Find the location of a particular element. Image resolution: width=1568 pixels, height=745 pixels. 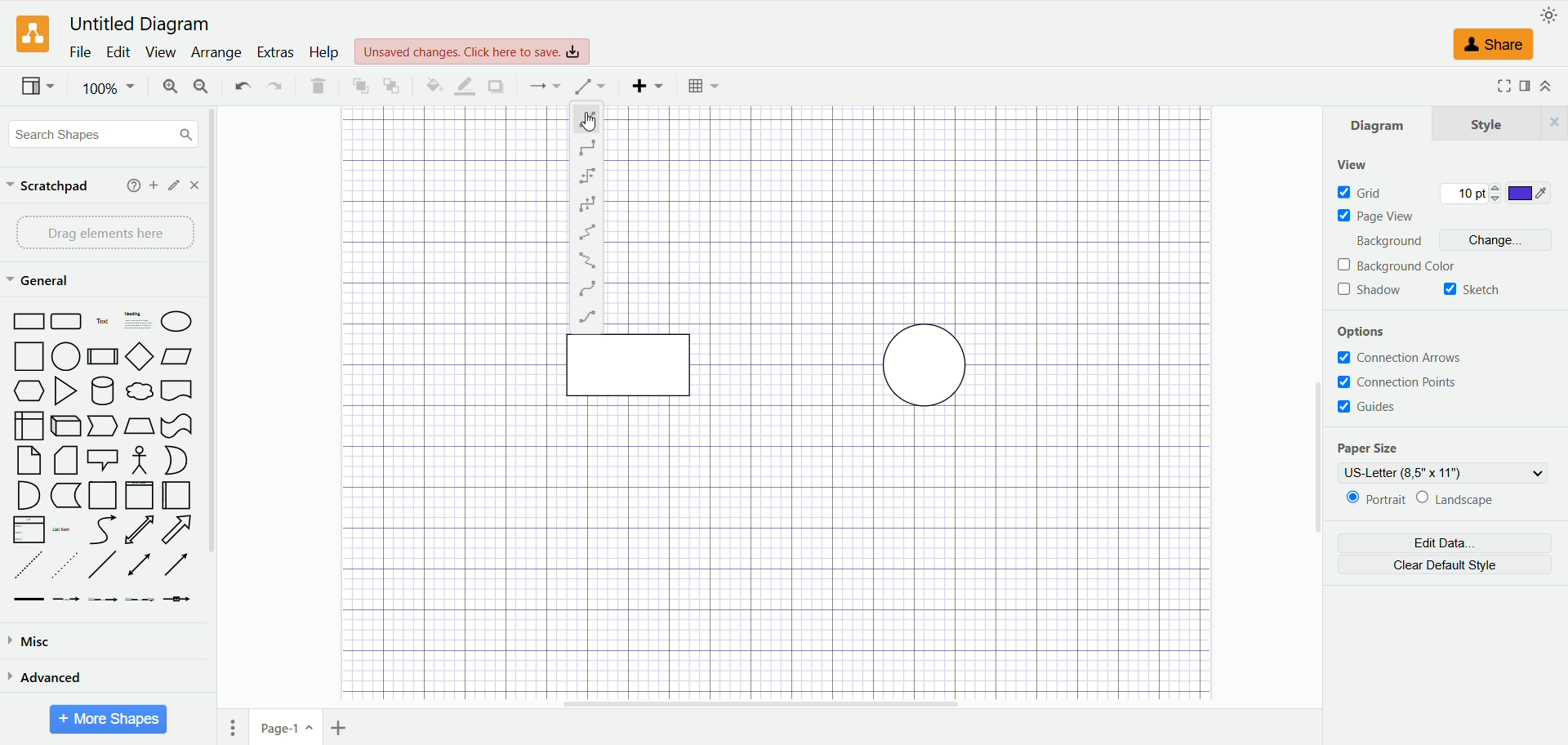

Entity Relation is located at coordinates (587, 317).